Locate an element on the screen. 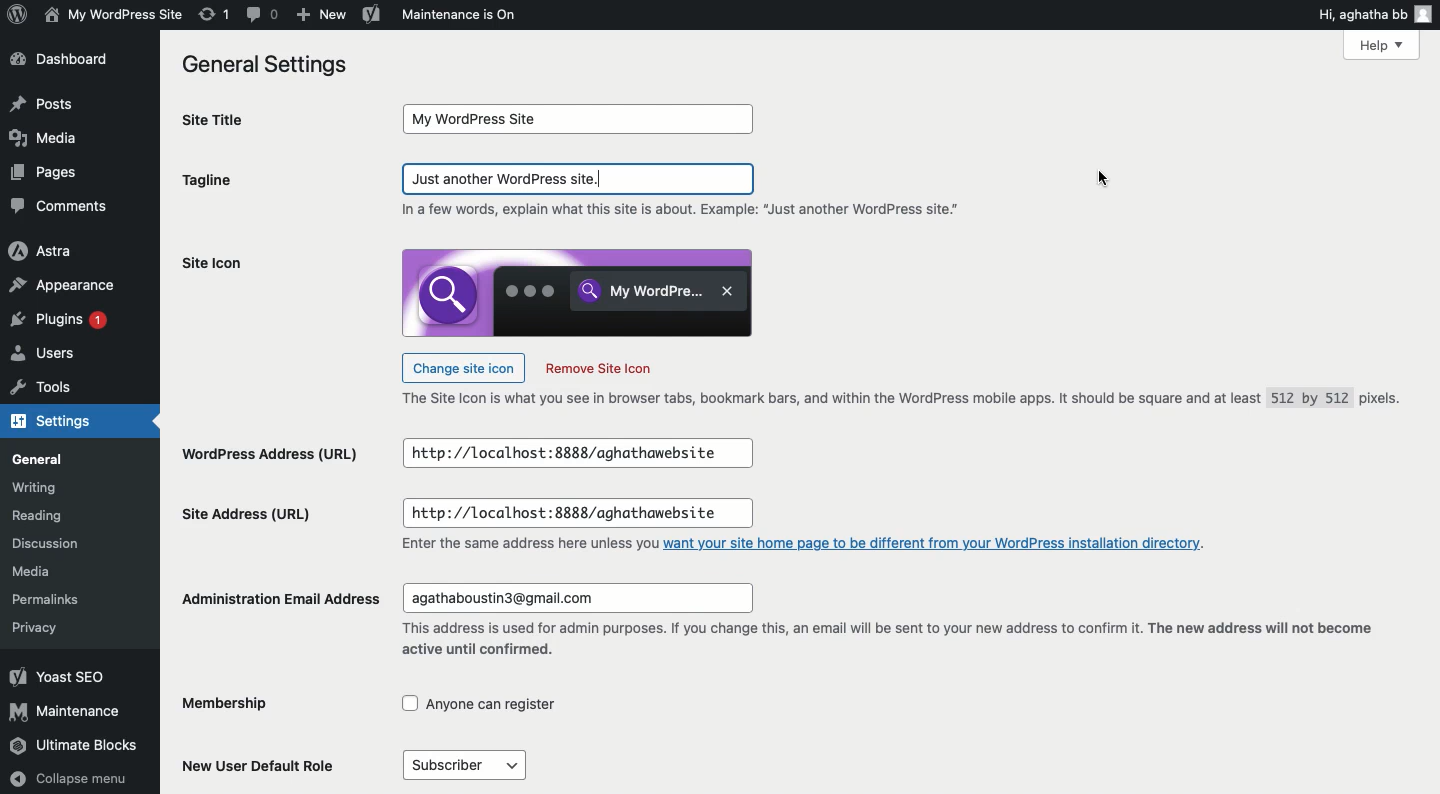 This screenshot has height=794, width=1440. Reading is located at coordinates (43, 517).